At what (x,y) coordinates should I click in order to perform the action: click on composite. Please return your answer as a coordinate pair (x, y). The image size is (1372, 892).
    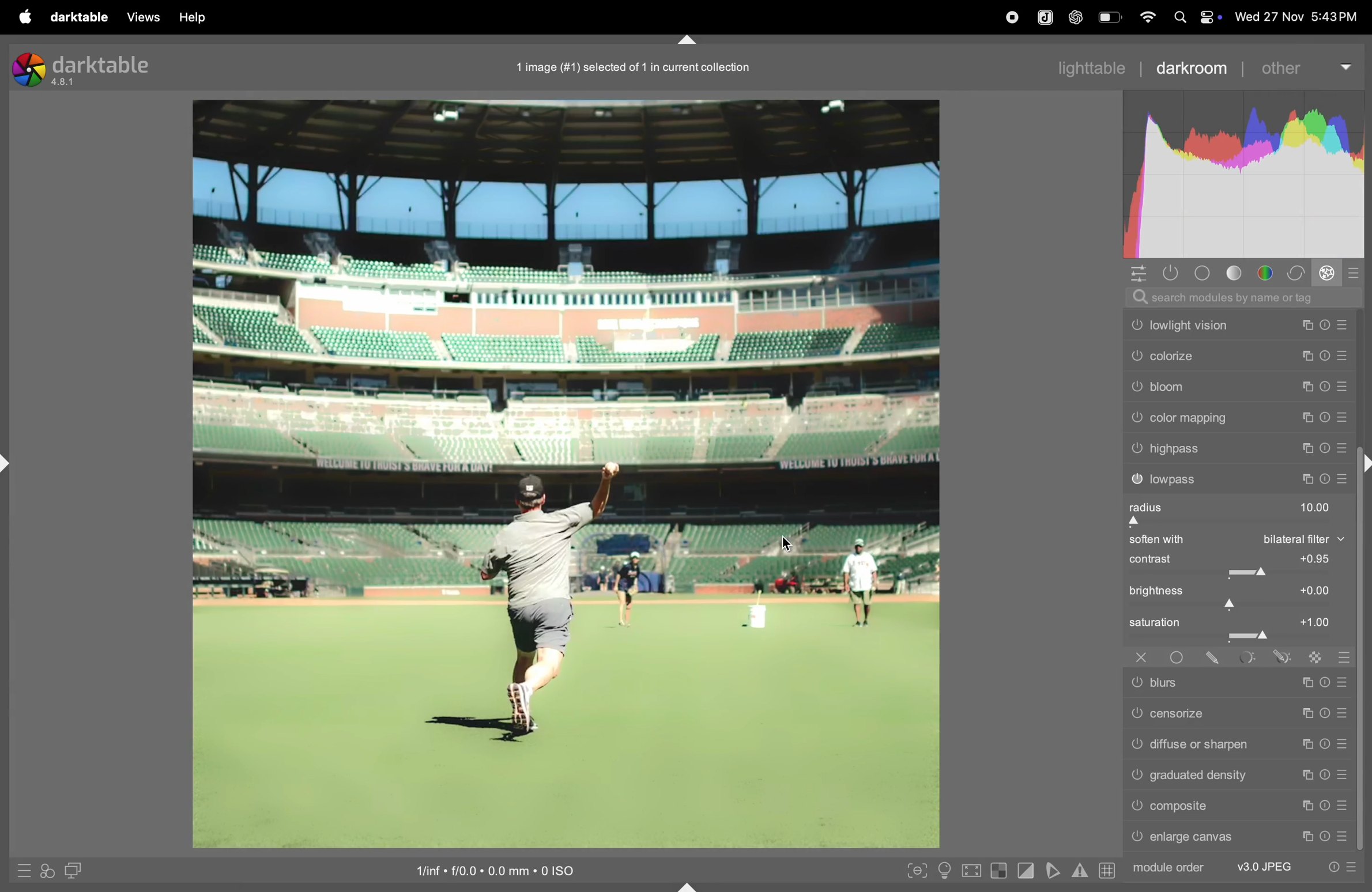
    Looking at the image, I should click on (1241, 806).